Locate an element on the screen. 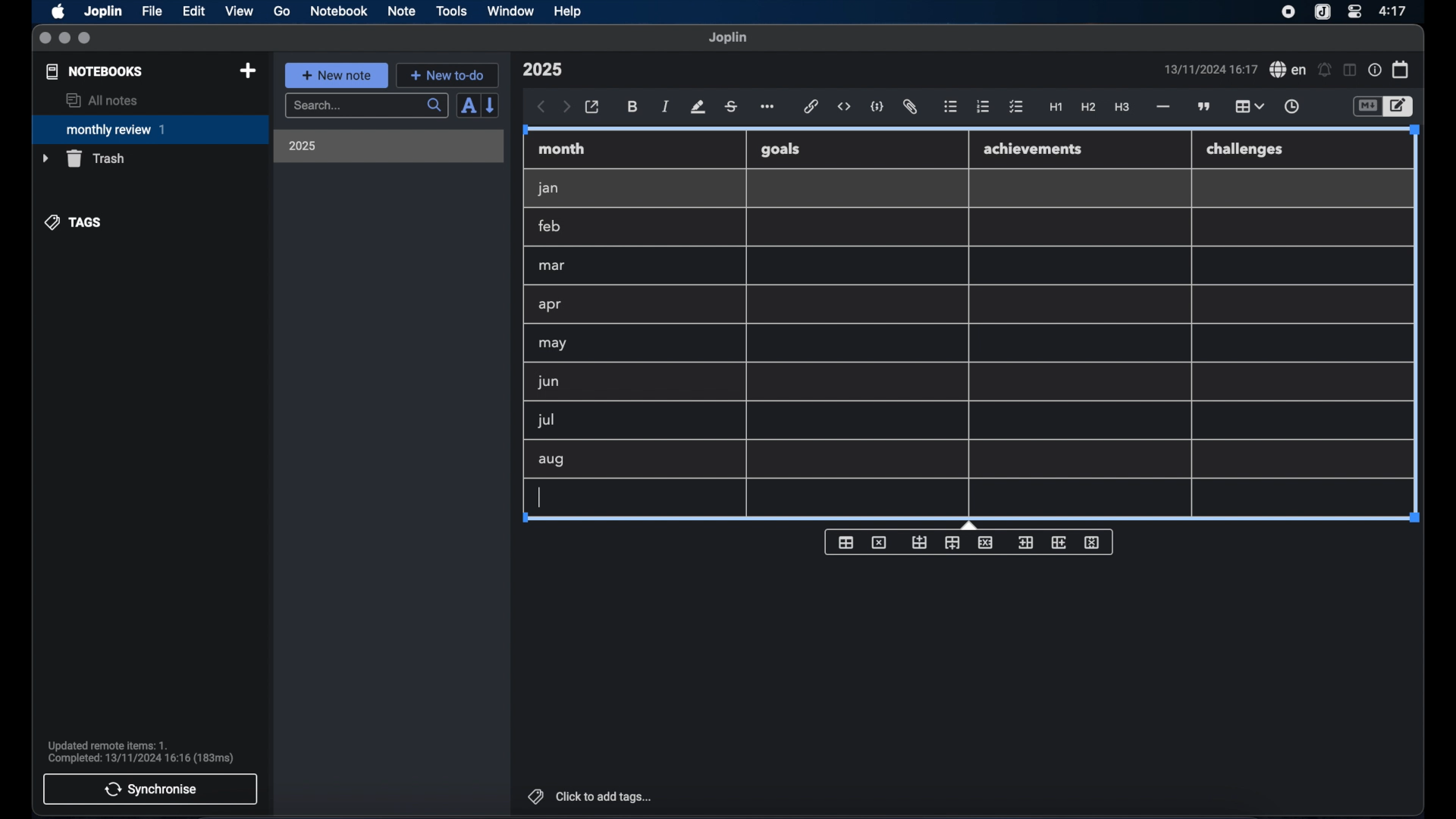 This screenshot has height=819, width=1456. sync notification is located at coordinates (141, 752).